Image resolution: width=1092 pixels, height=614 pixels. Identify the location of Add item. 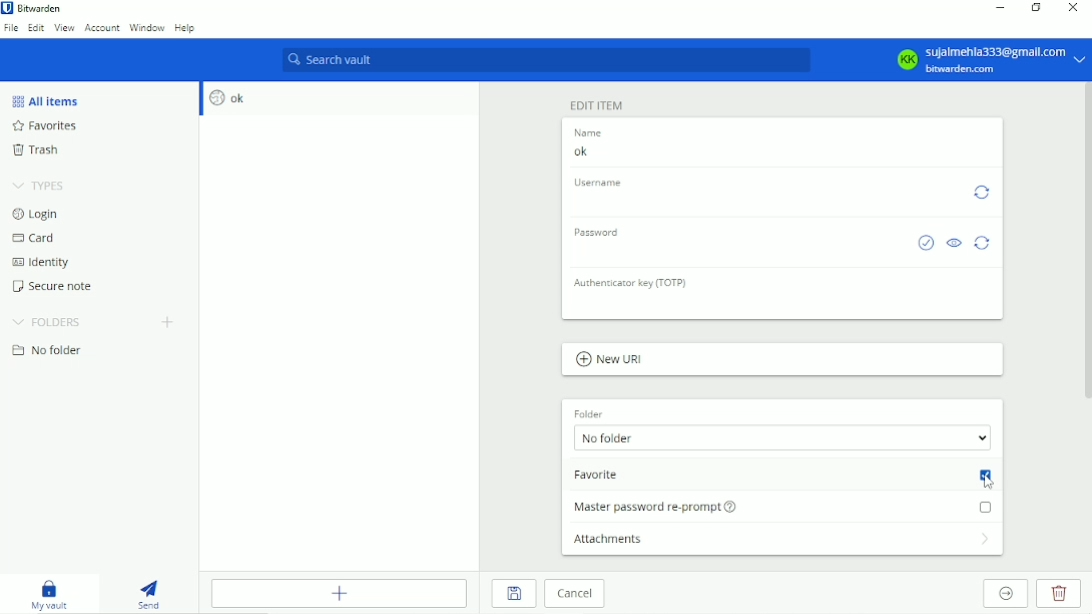
(337, 593).